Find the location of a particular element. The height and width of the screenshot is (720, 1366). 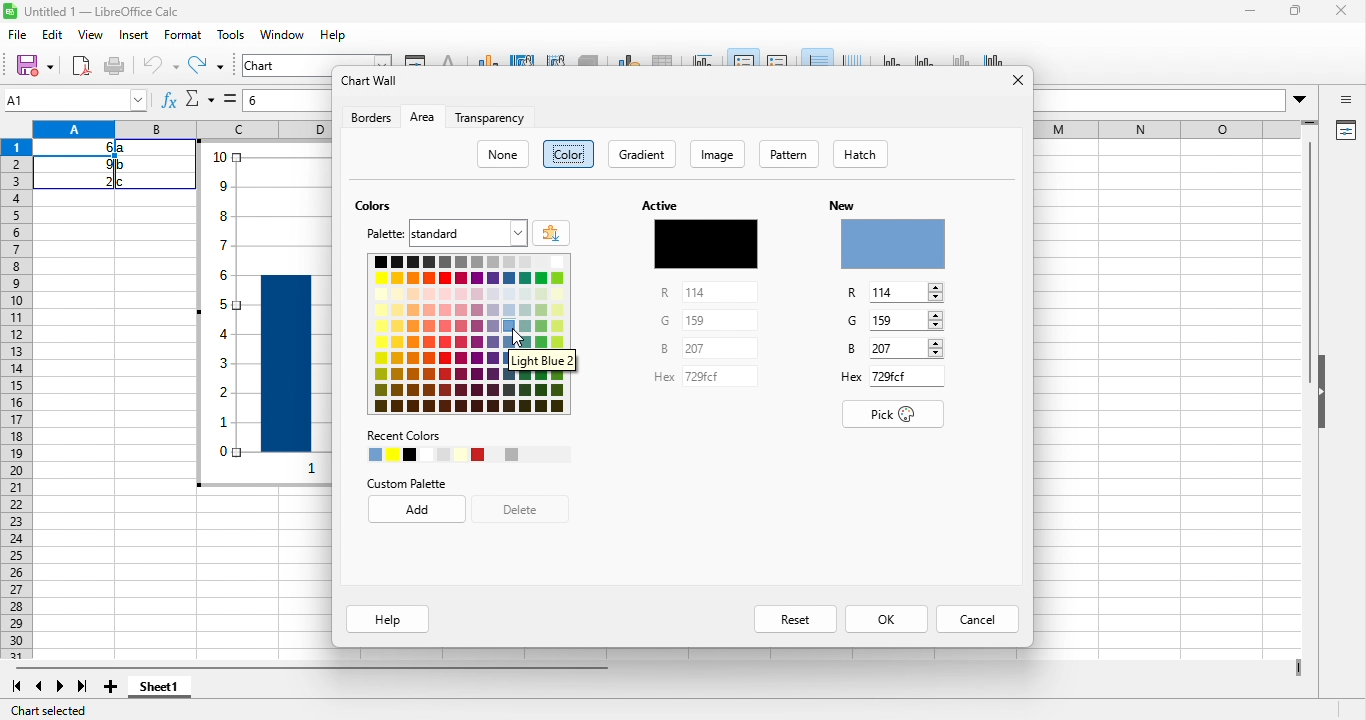

R is located at coordinates (852, 296).